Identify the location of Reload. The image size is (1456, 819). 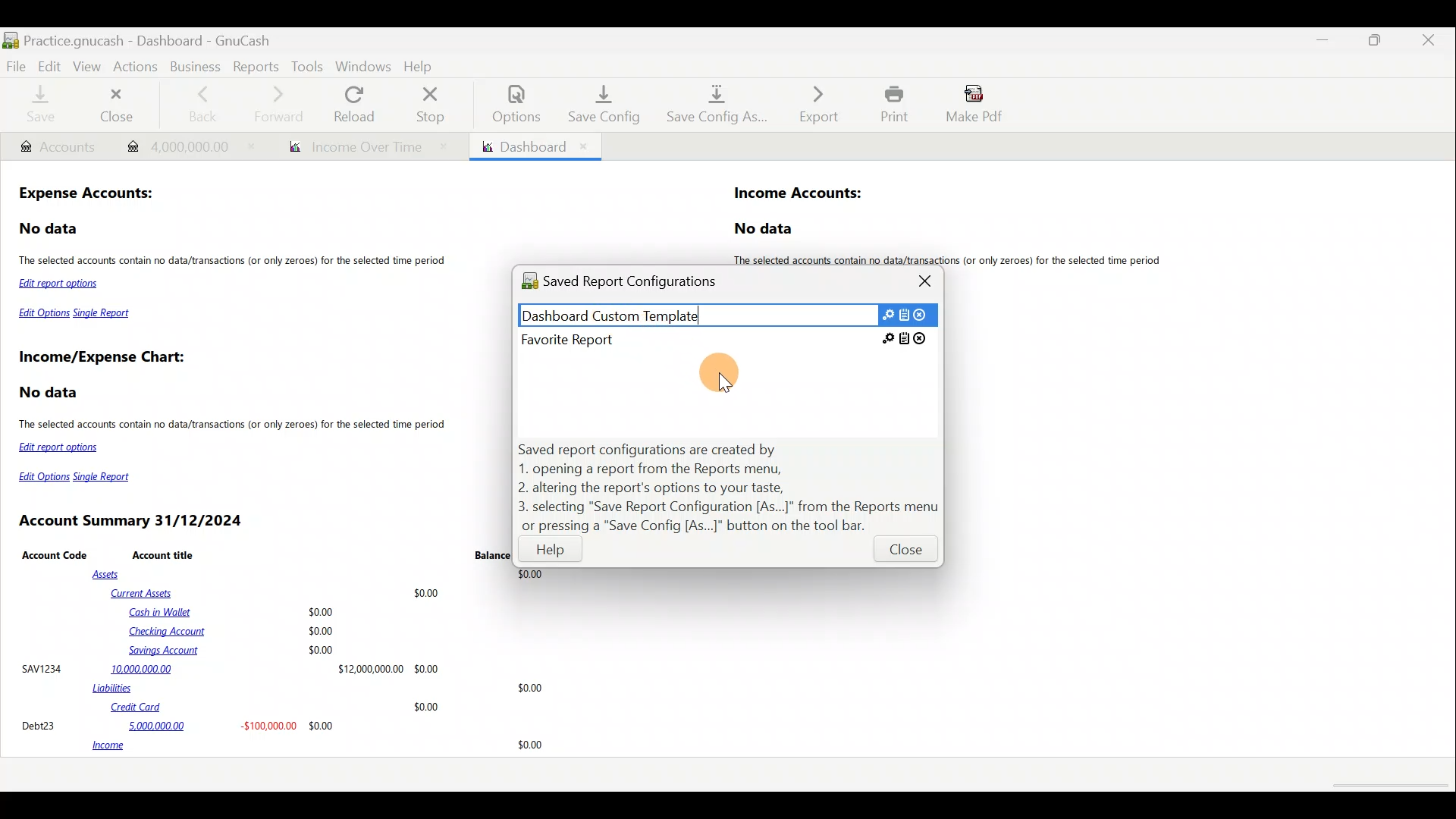
(357, 104).